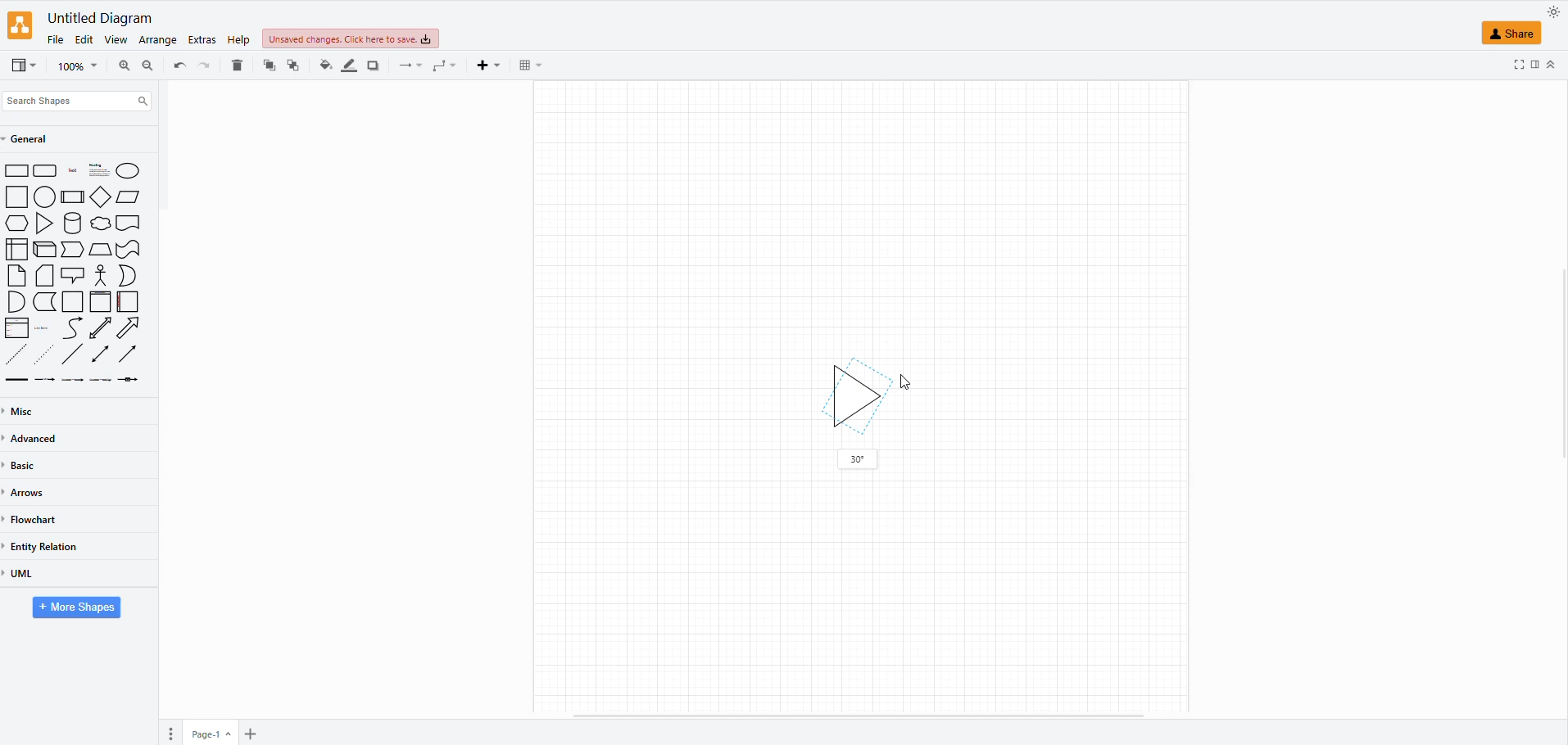 The image size is (1568, 745). I want to click on Parallelogram, so click(130, 197).